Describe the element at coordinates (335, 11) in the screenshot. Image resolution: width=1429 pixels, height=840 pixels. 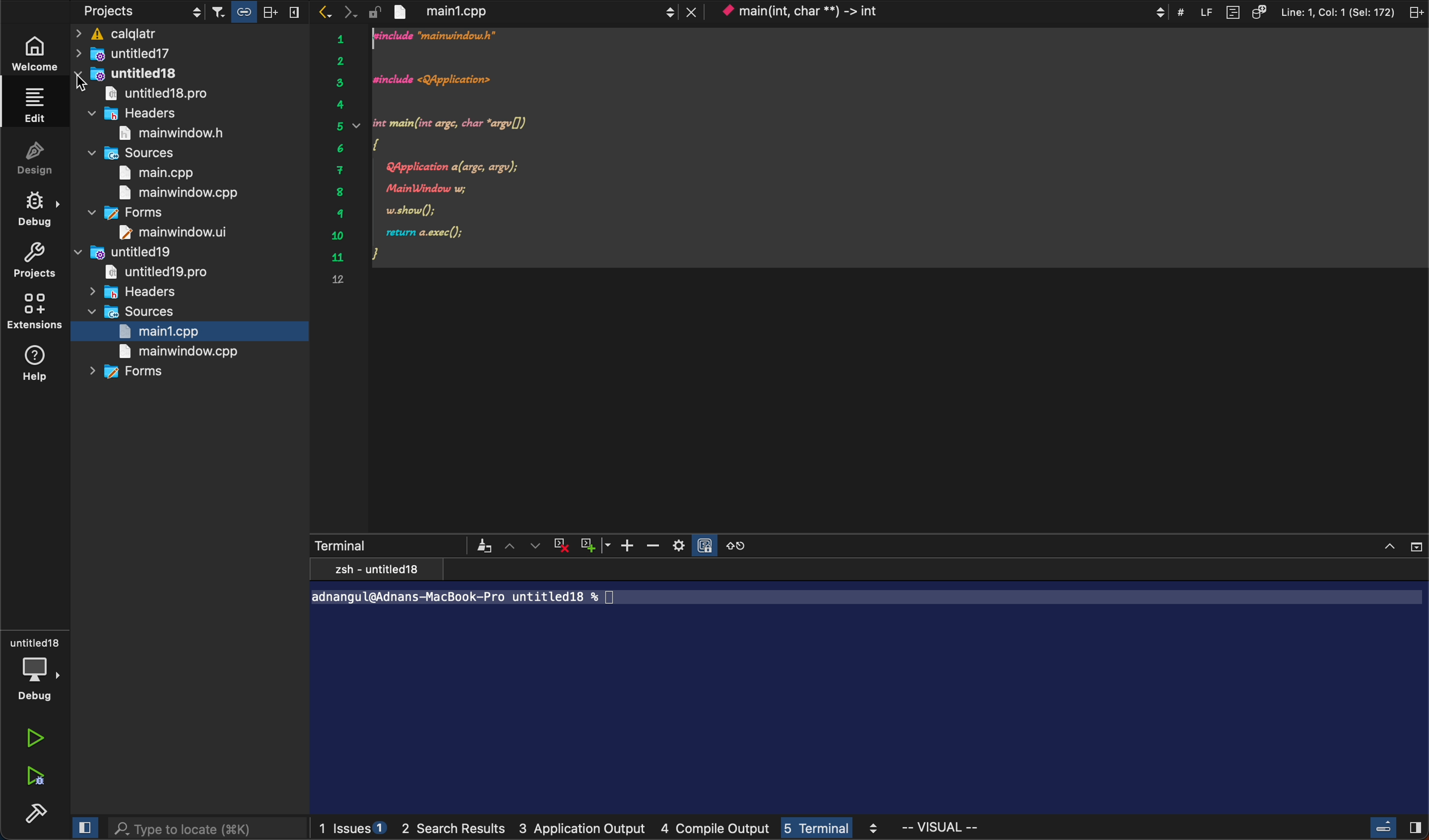
I see `arrows` at that location.